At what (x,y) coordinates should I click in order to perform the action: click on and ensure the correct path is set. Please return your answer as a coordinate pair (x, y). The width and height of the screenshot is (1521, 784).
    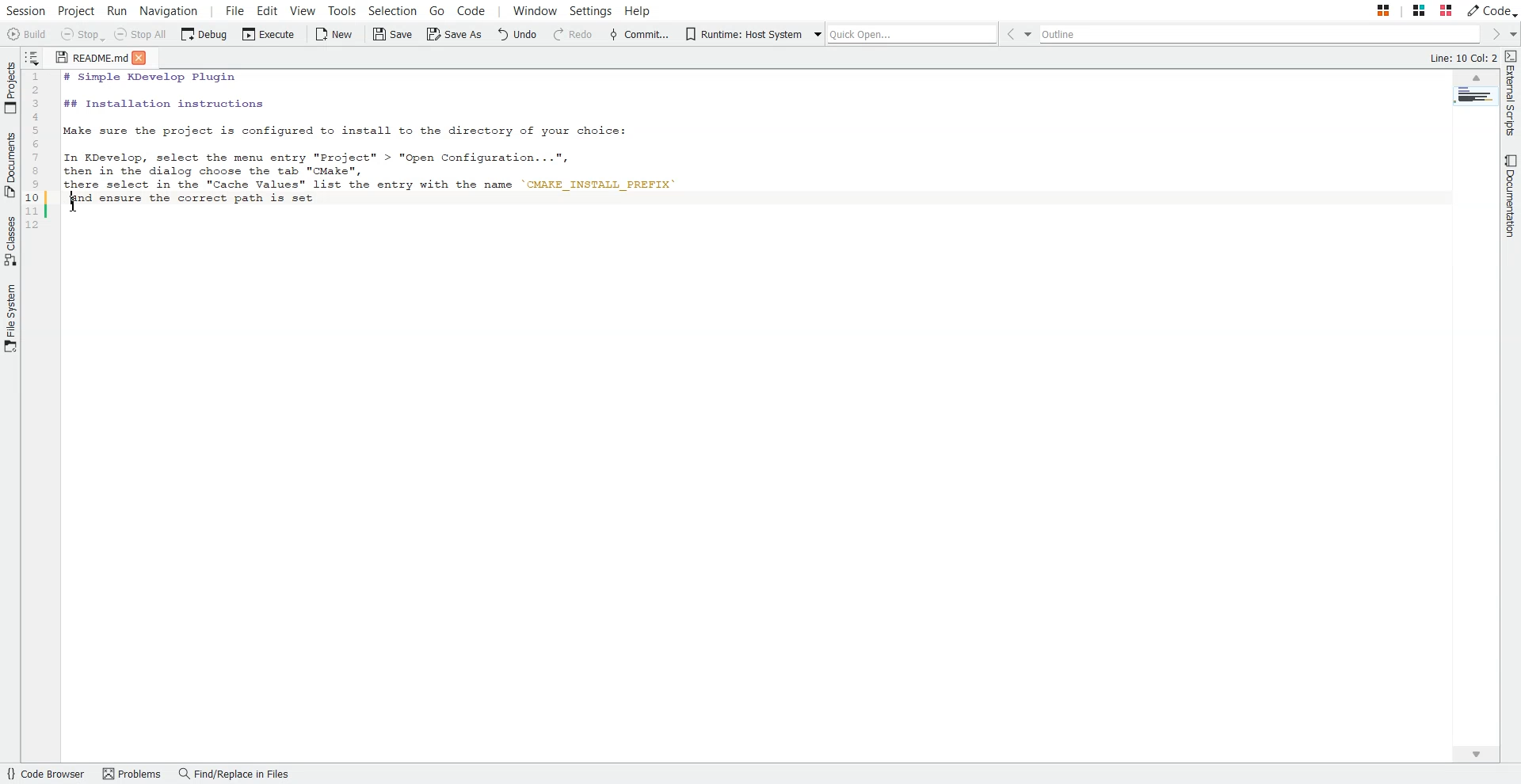
    Looking at the image, I should click on (182, 198).